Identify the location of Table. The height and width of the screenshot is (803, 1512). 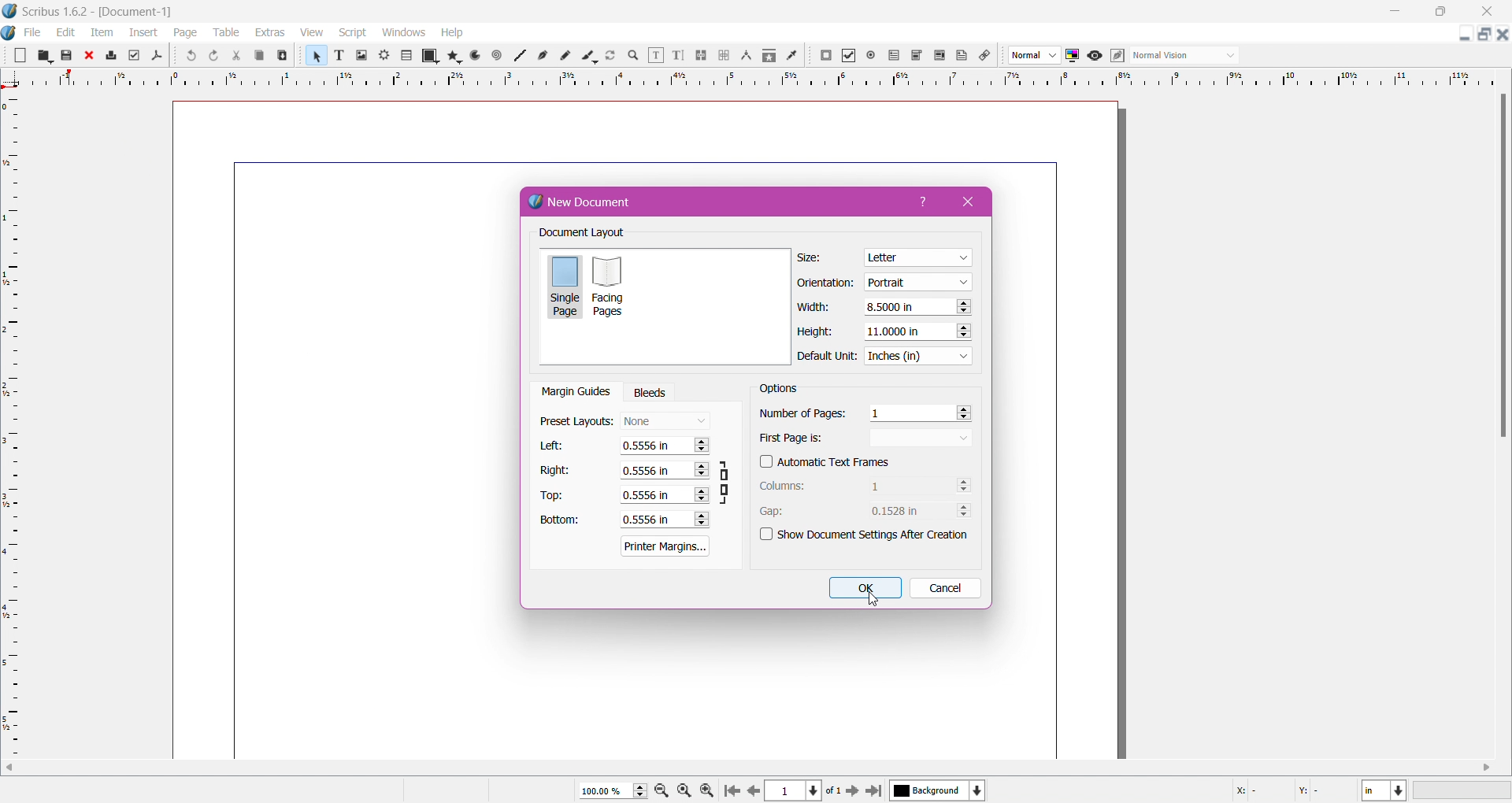
(225, 33).